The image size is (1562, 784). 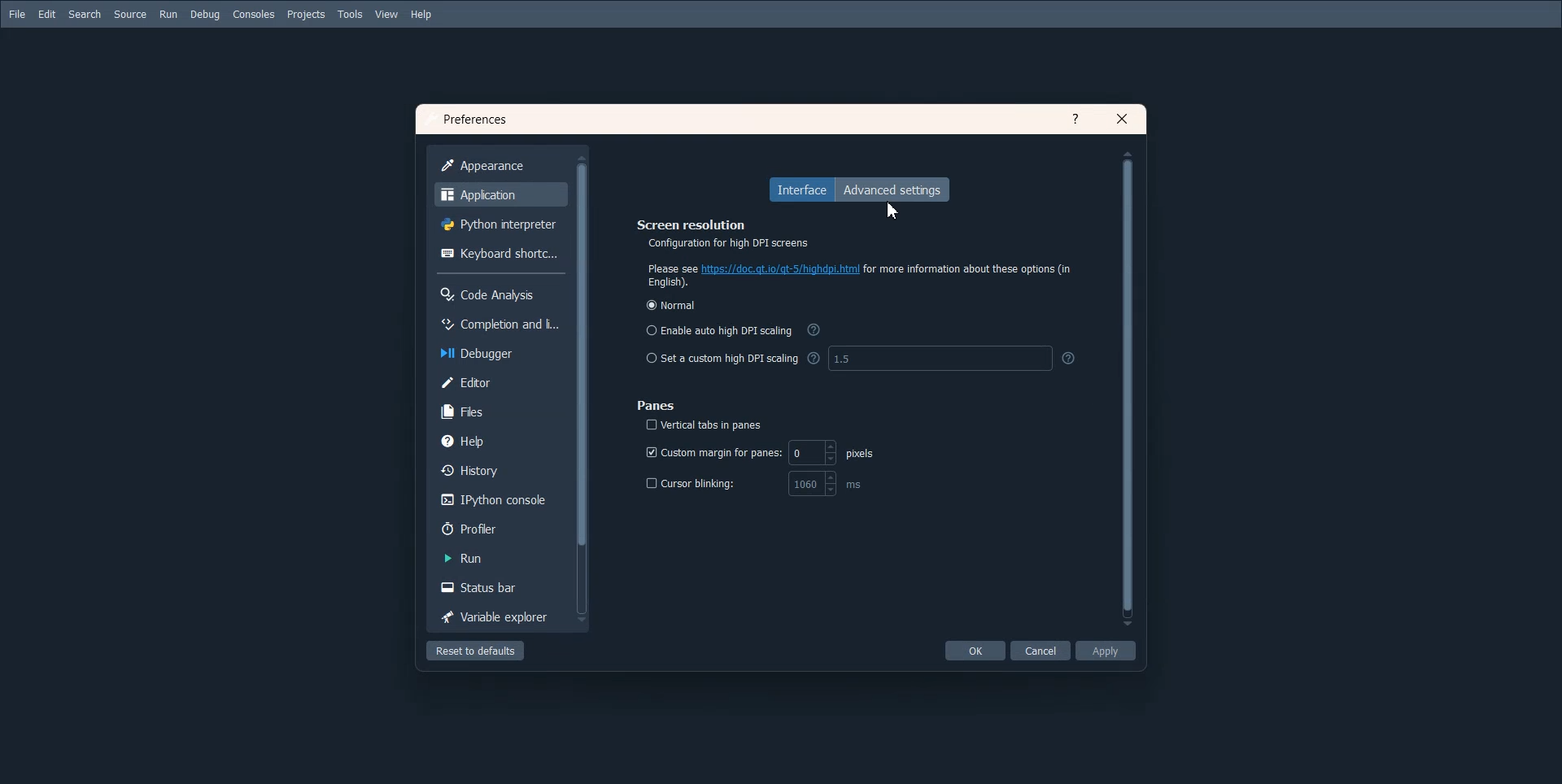 I want to click on Interface, so click(x=801, y=189).